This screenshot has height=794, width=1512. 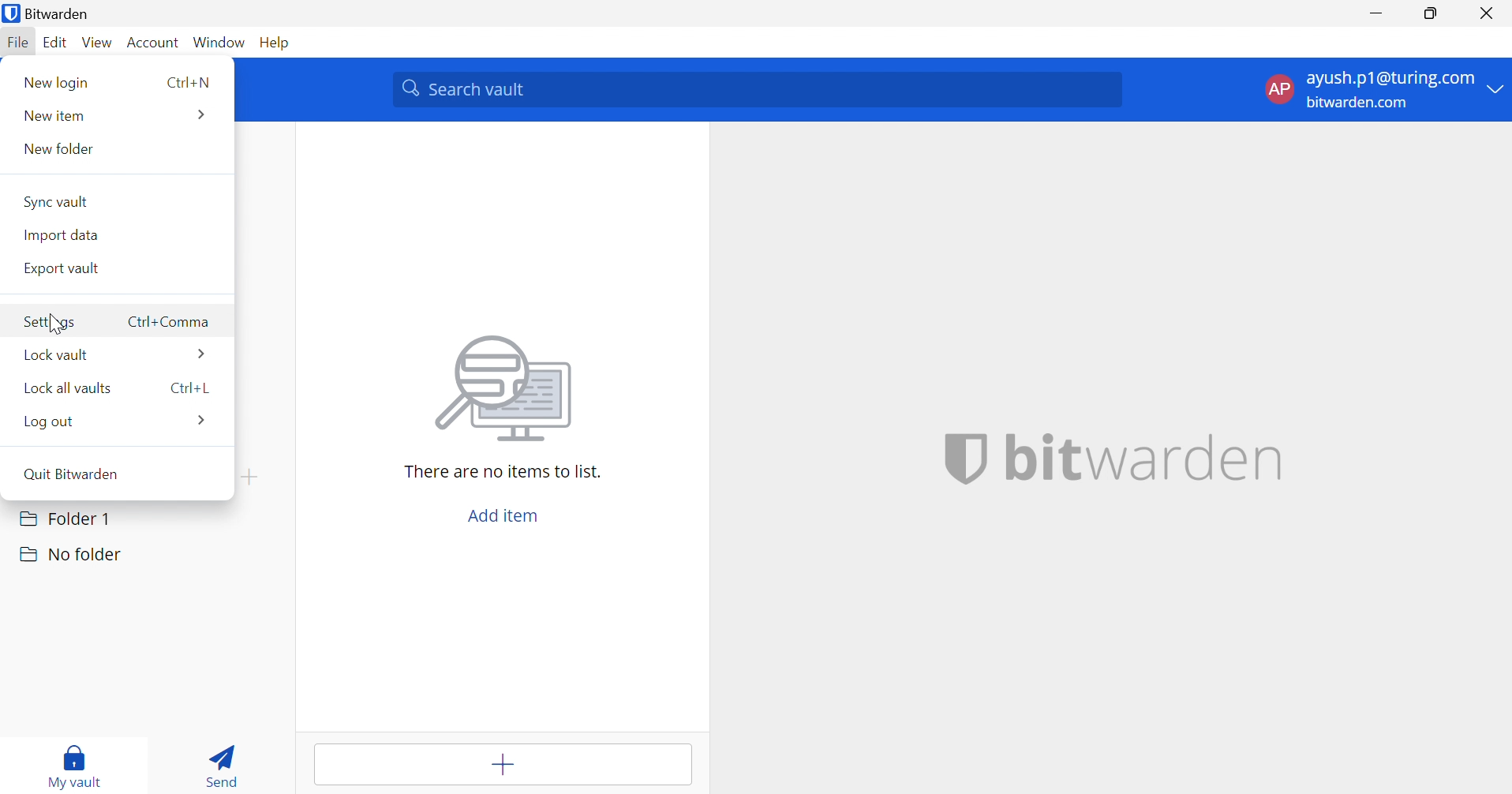 What do you see at coordinates (221, 42) in the screenshot?
I see `Window` at bounding box center [221, 42].